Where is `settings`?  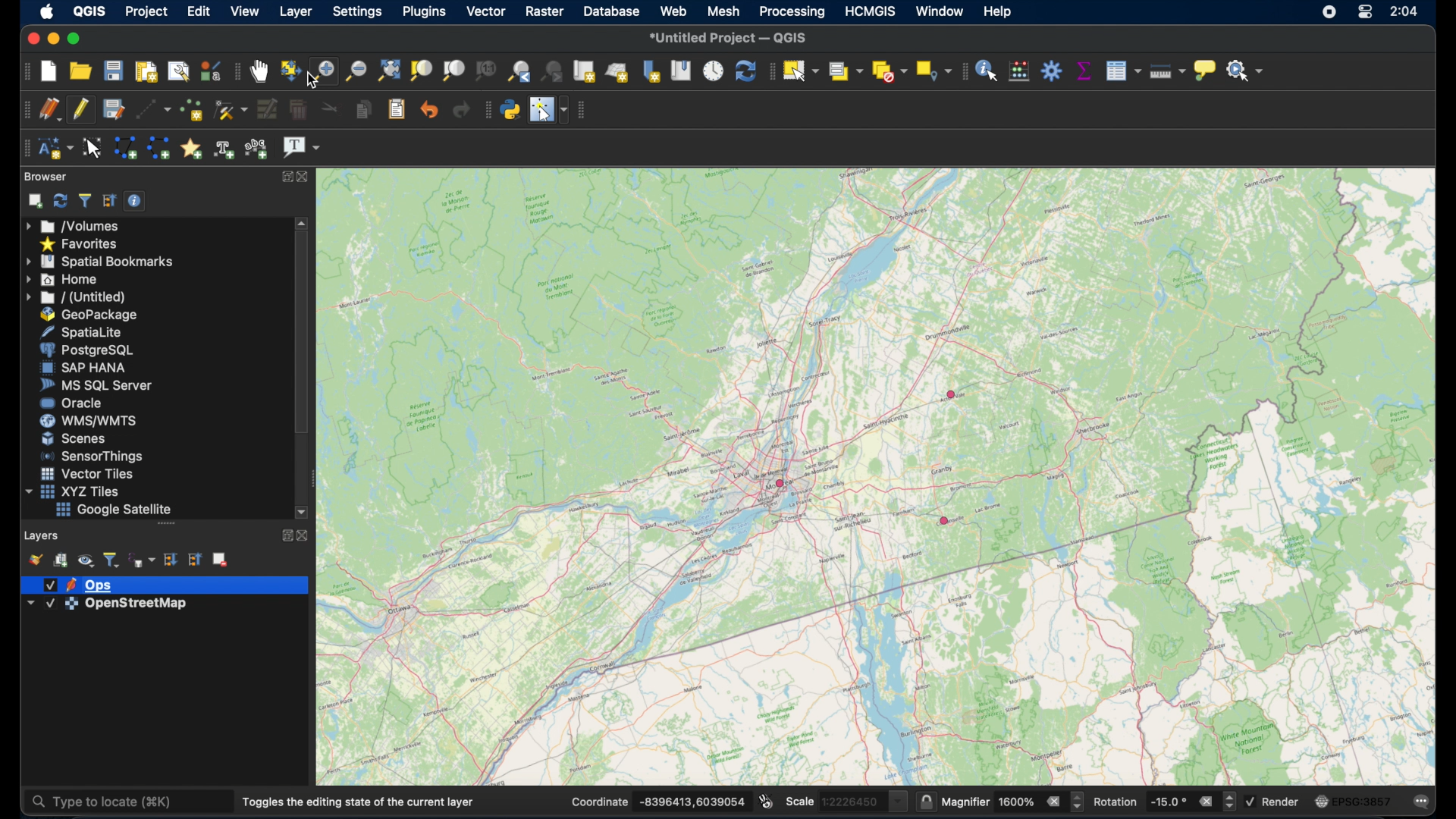
settings is located at coordinates (359, 13).